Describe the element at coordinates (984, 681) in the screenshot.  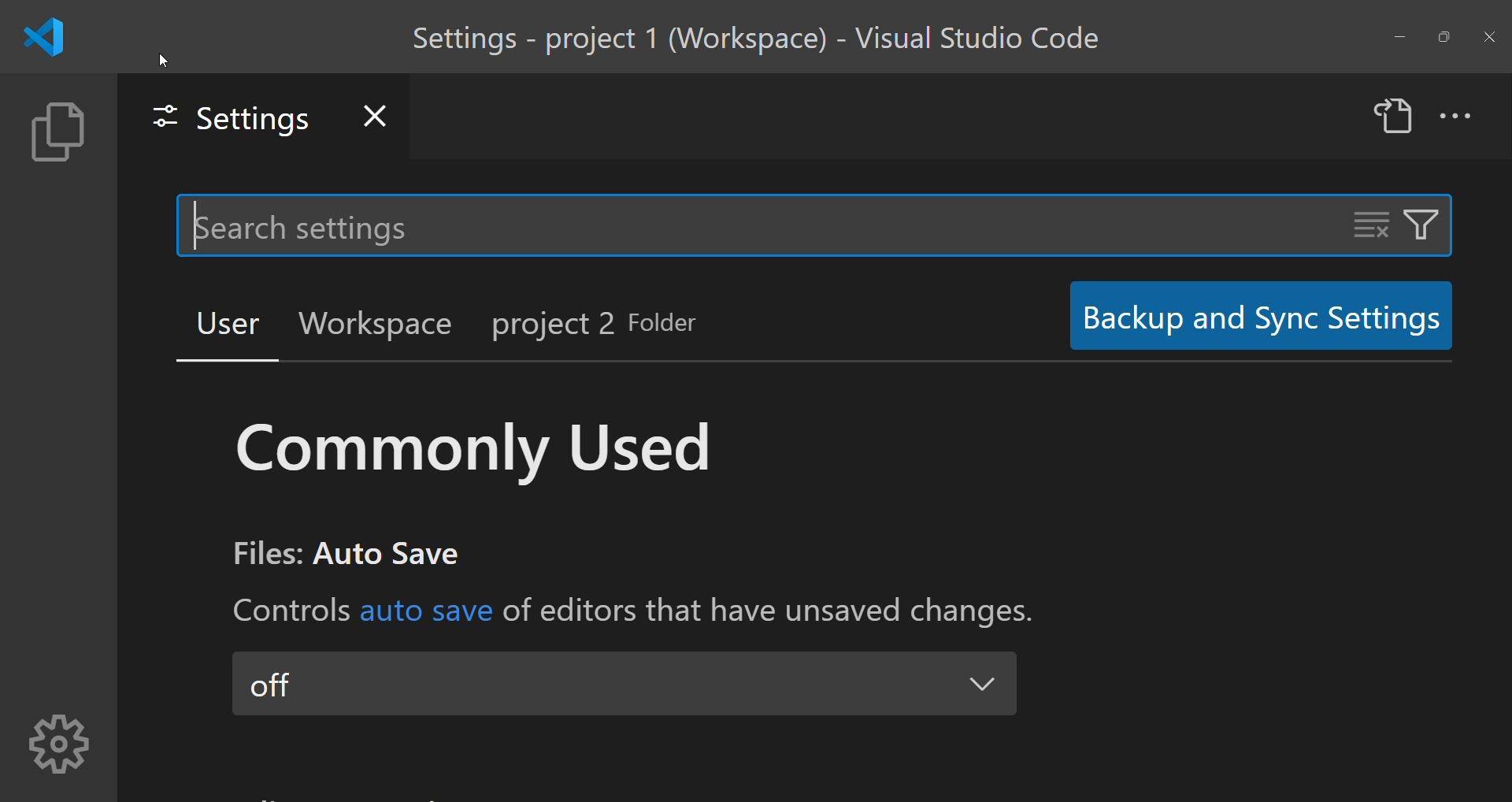
I see `drop down` at that location.